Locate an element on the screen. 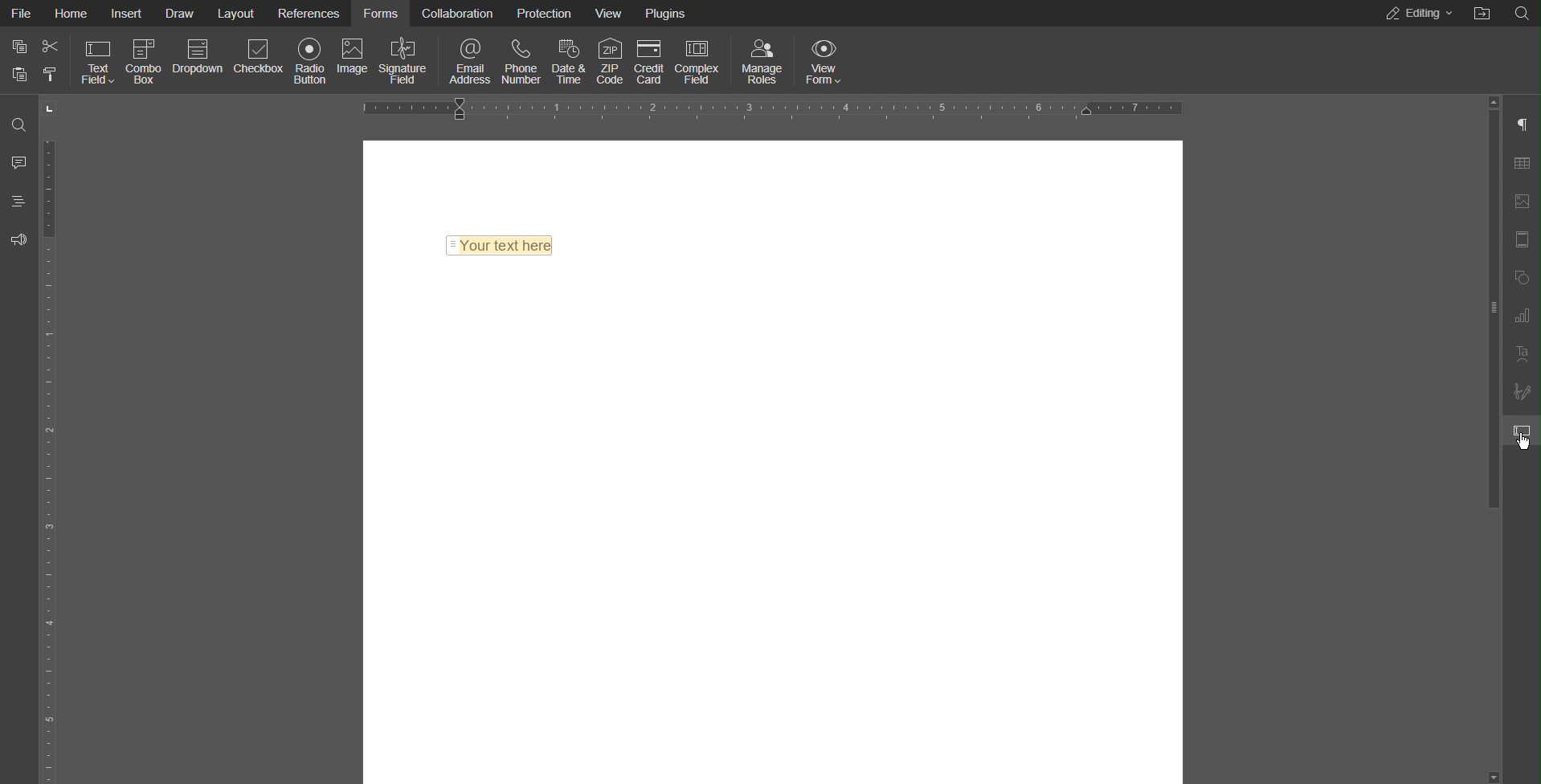  Home is located at coordinates (71, 12).